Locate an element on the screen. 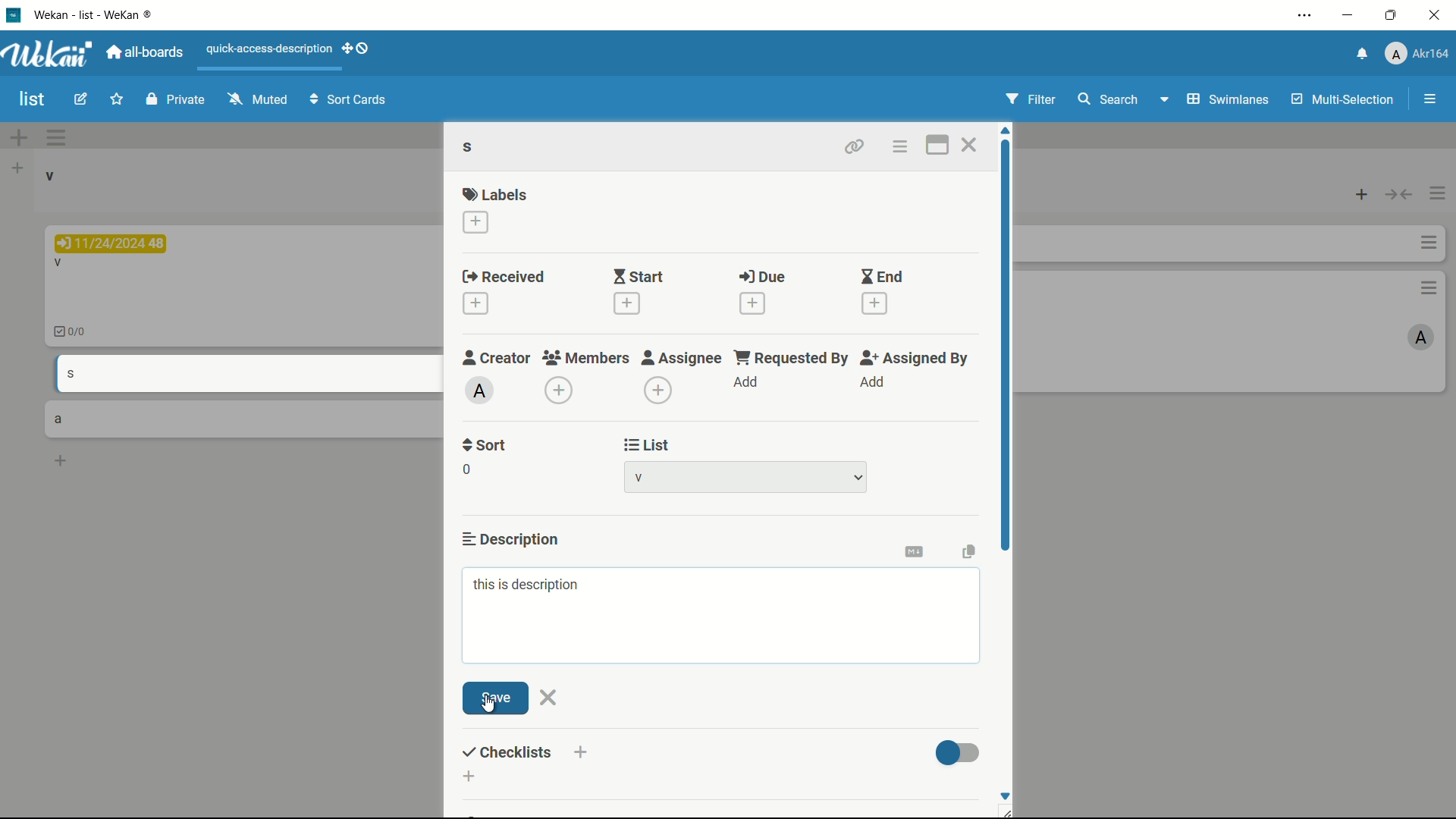 The height and width of the screenshot is (819, 1456). start is located at coordinates (640, 277).